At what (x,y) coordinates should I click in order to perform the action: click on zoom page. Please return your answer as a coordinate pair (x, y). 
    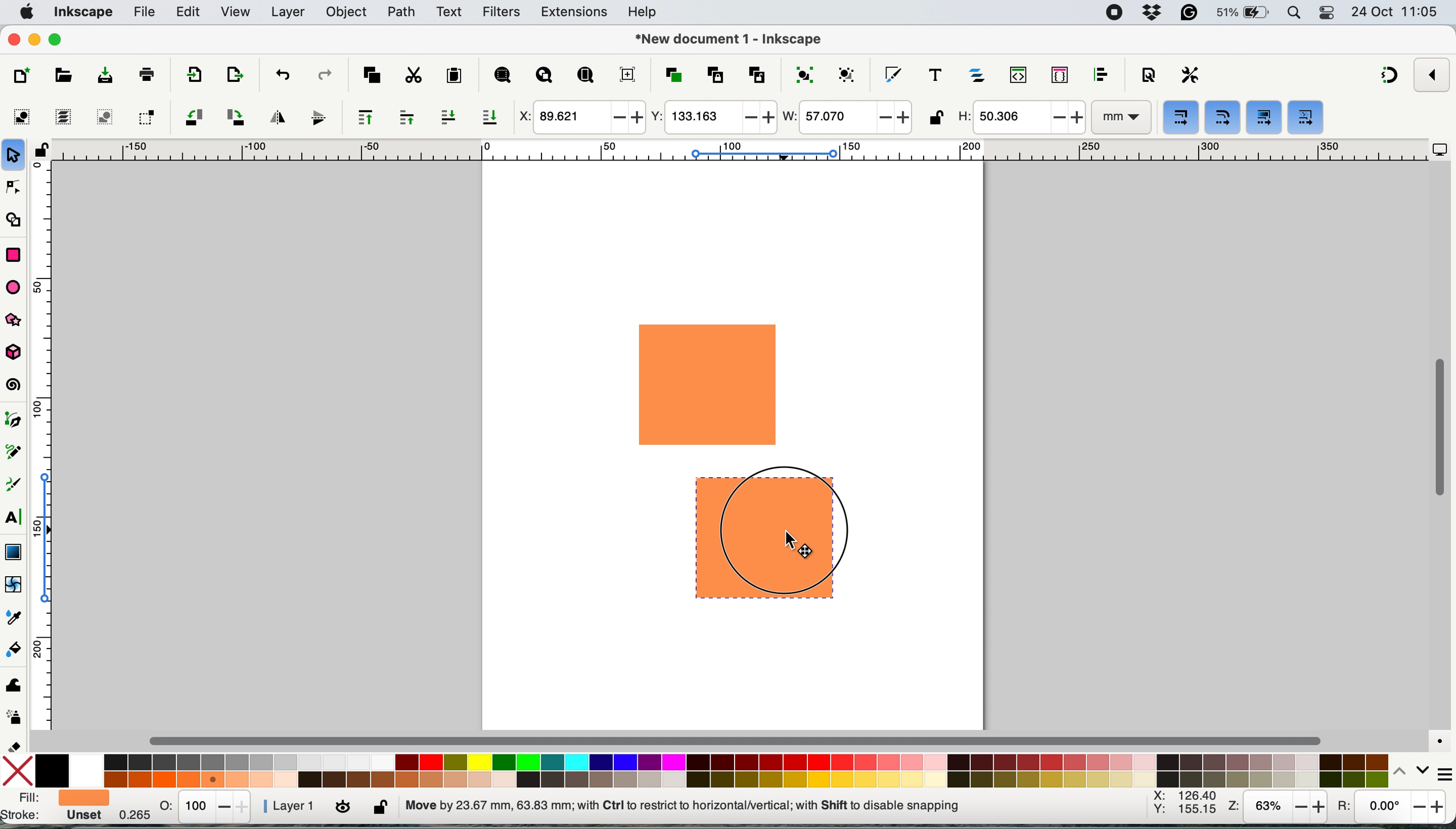
    Looking at the image, I should click on (585, 76).